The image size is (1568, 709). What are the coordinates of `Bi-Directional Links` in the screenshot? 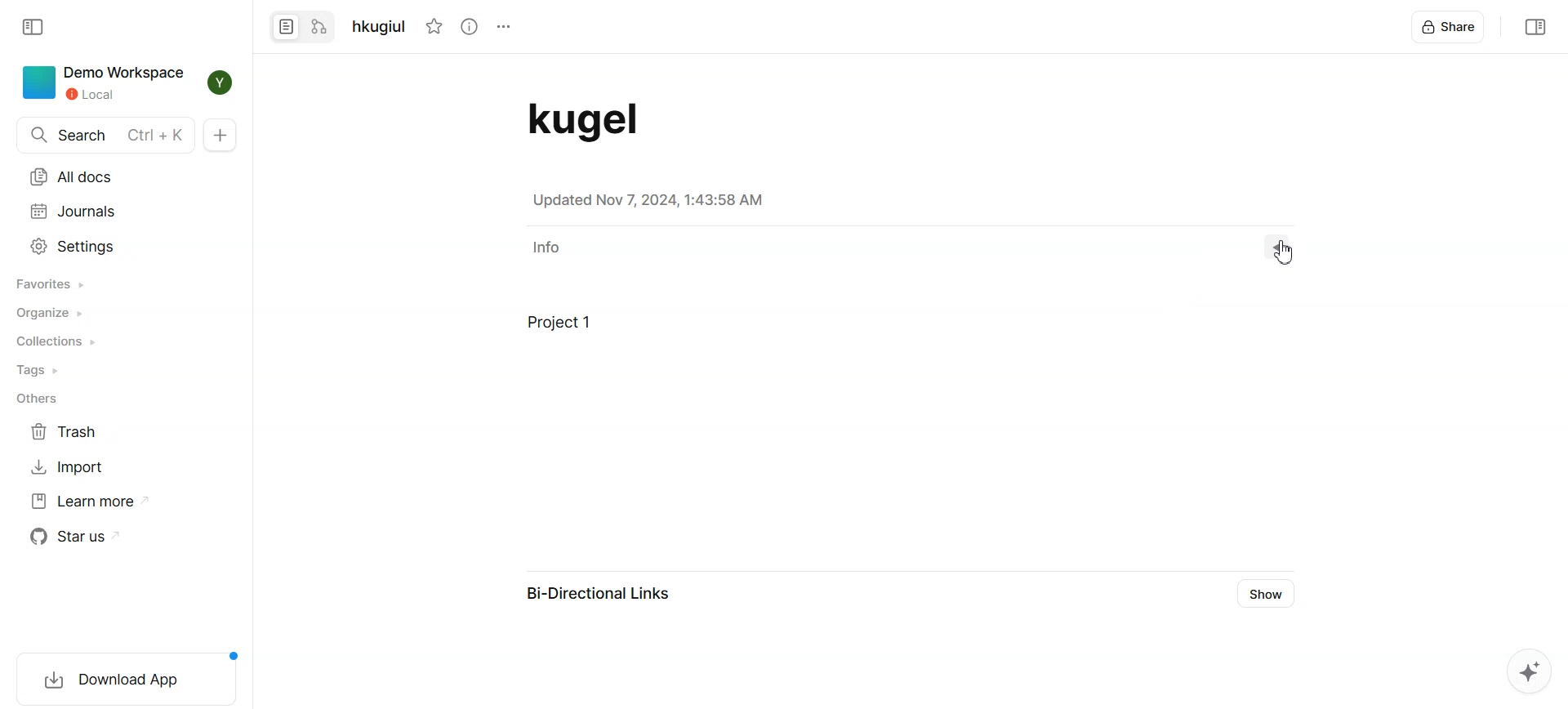 It's located at (592, 594).